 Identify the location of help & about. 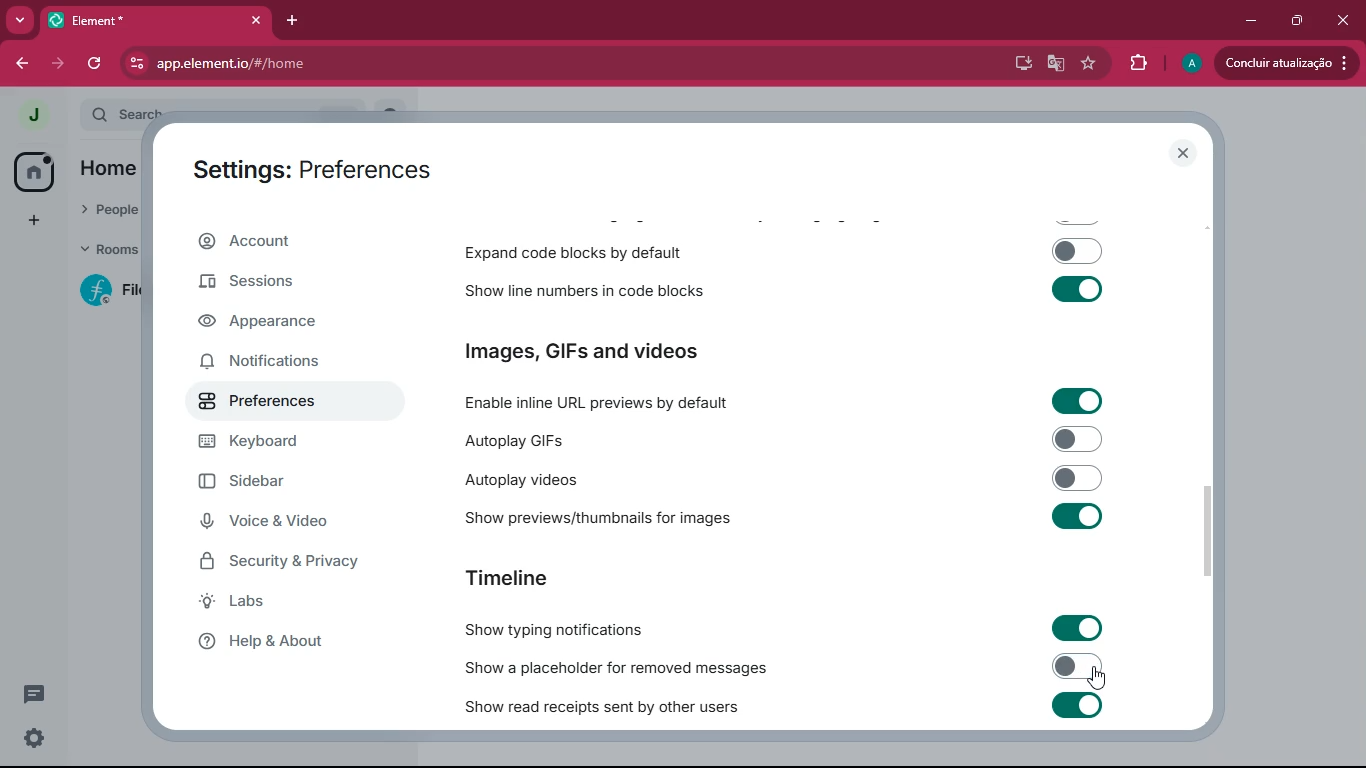
(288, 643).